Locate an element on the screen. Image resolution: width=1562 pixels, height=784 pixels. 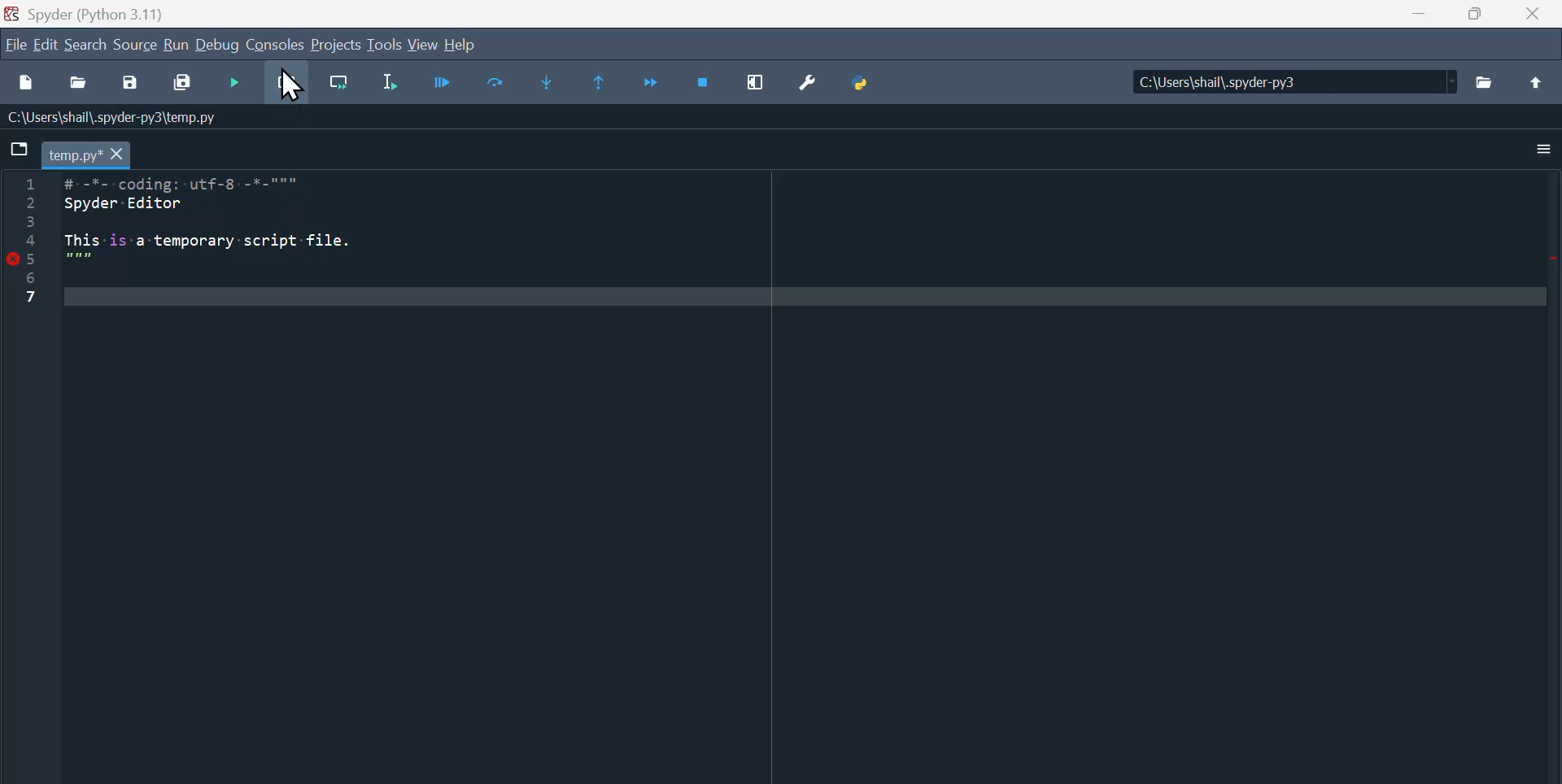
help is located at coordinates (469, 43).